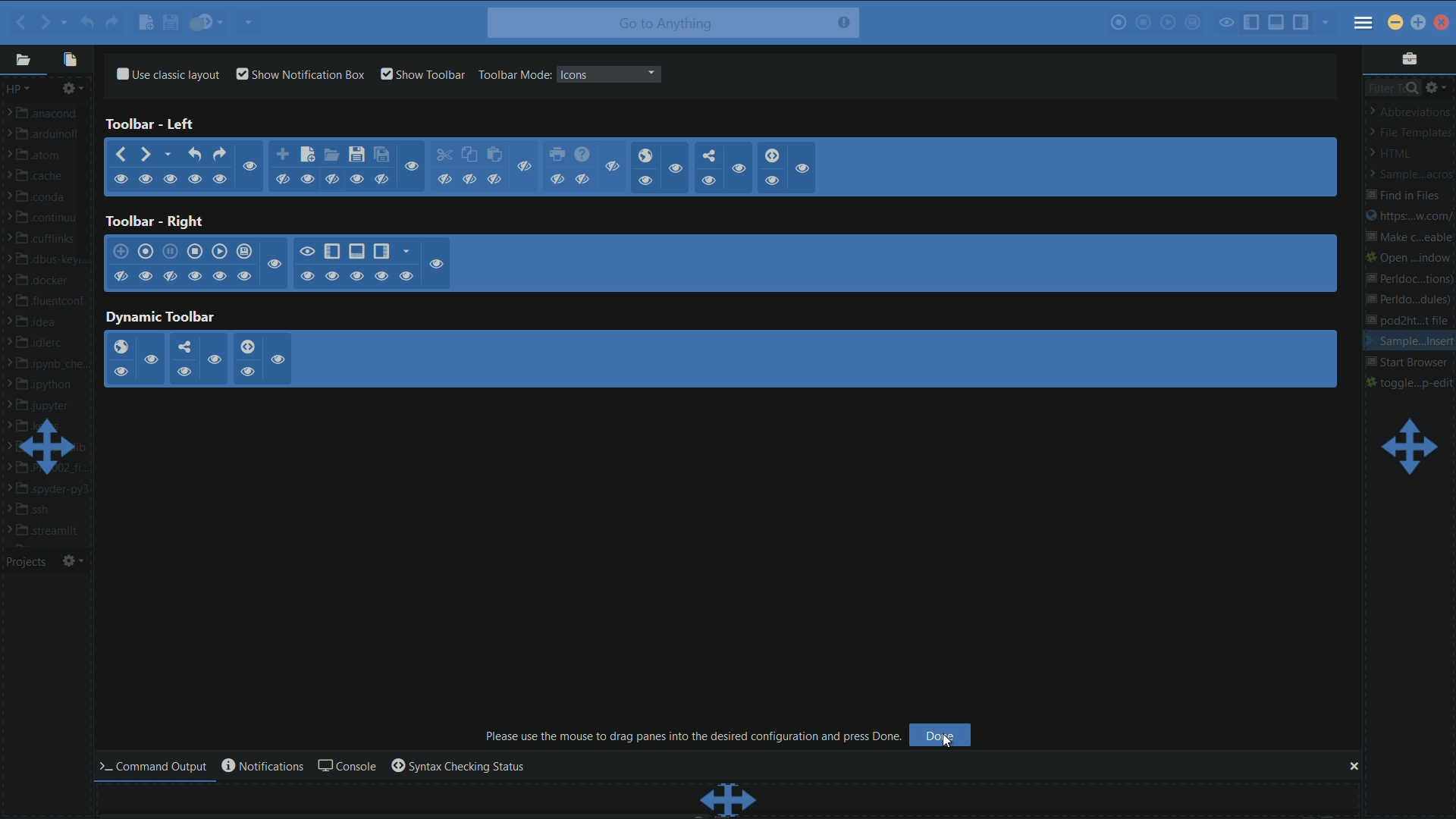 The height and width of the screenshot is (819, 1456). What do you see at coordinates (282, 155) in the screenshot?
I see `new tab` at bounding box center [282, 155].